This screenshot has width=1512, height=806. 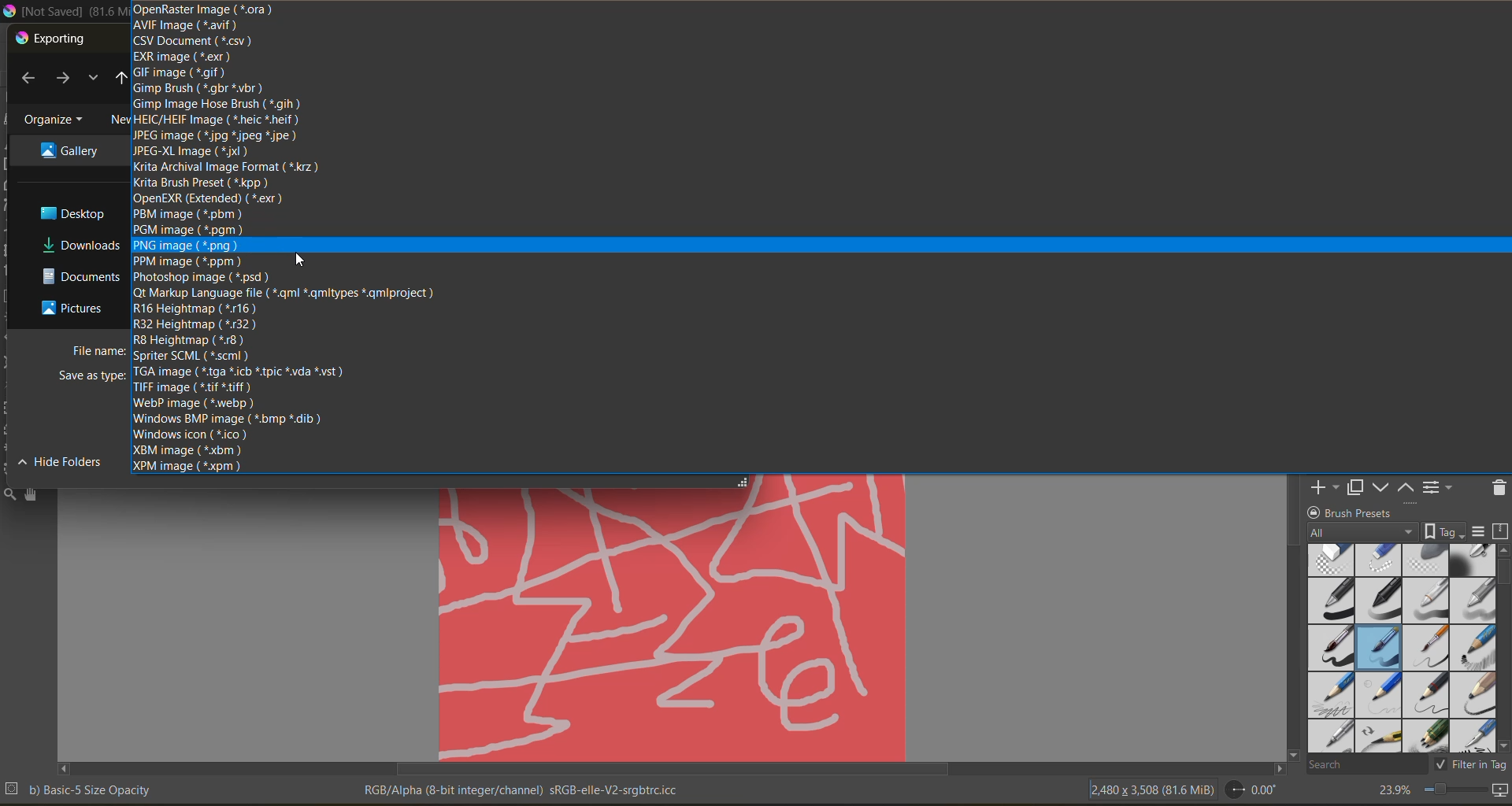 I want to click on folder destination, so click(x=72, y=149).